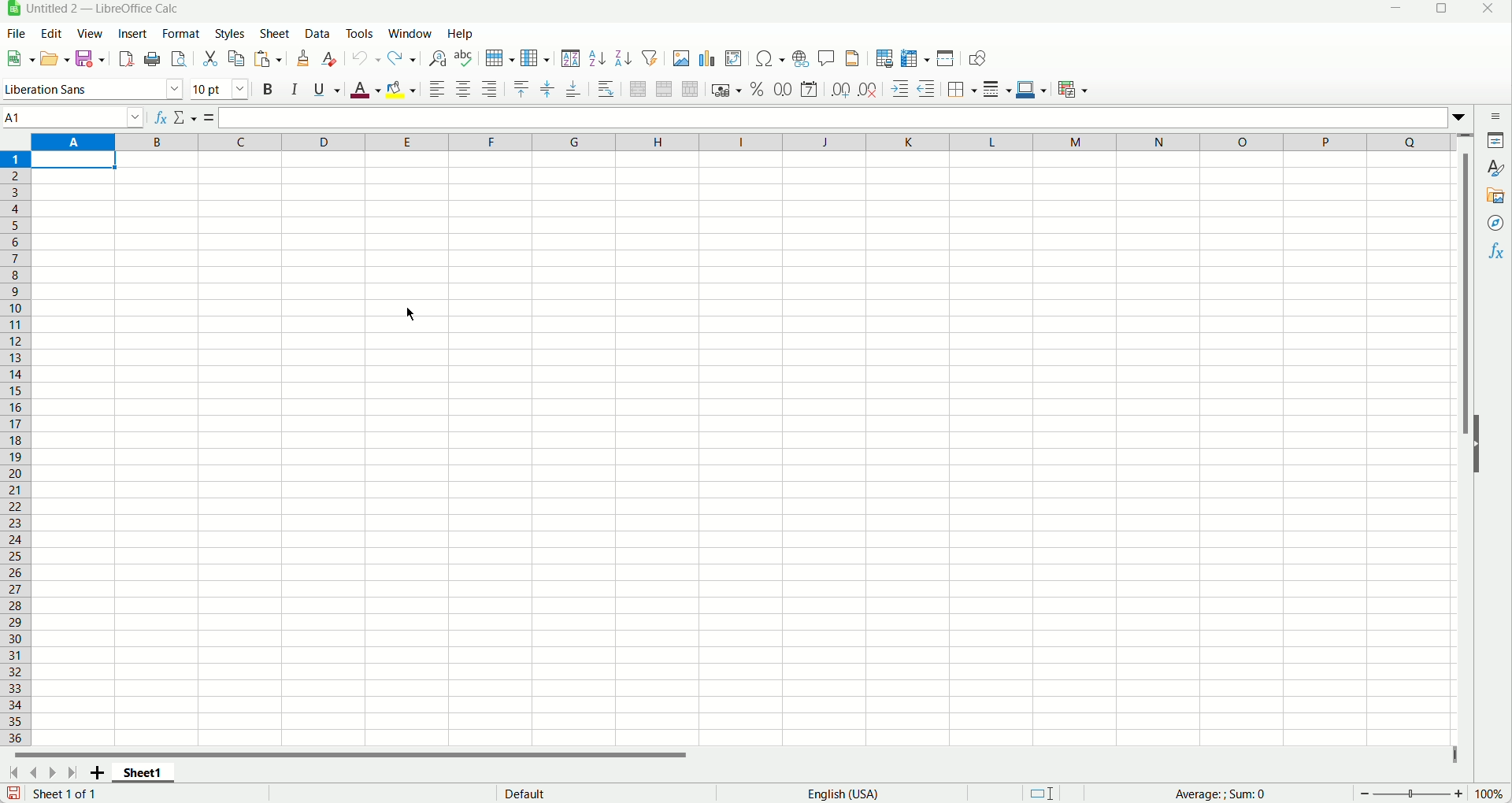  I want to click on Show draw functions, so click(974, 58).